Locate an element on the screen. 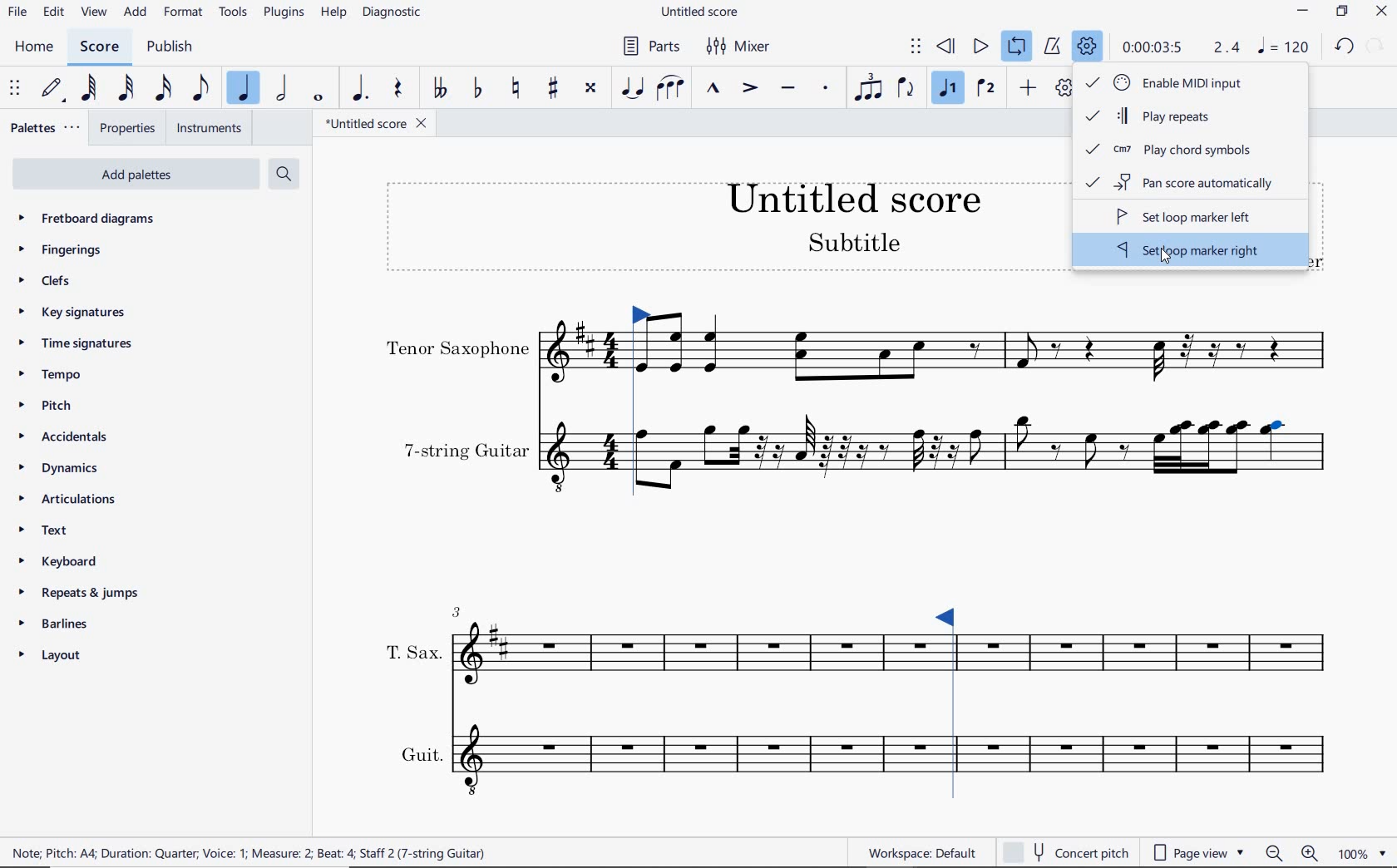 The height and width of the screenshot is (868, 1397). PLAYBACK SETTINGS is located at coordinates (1088, 47).